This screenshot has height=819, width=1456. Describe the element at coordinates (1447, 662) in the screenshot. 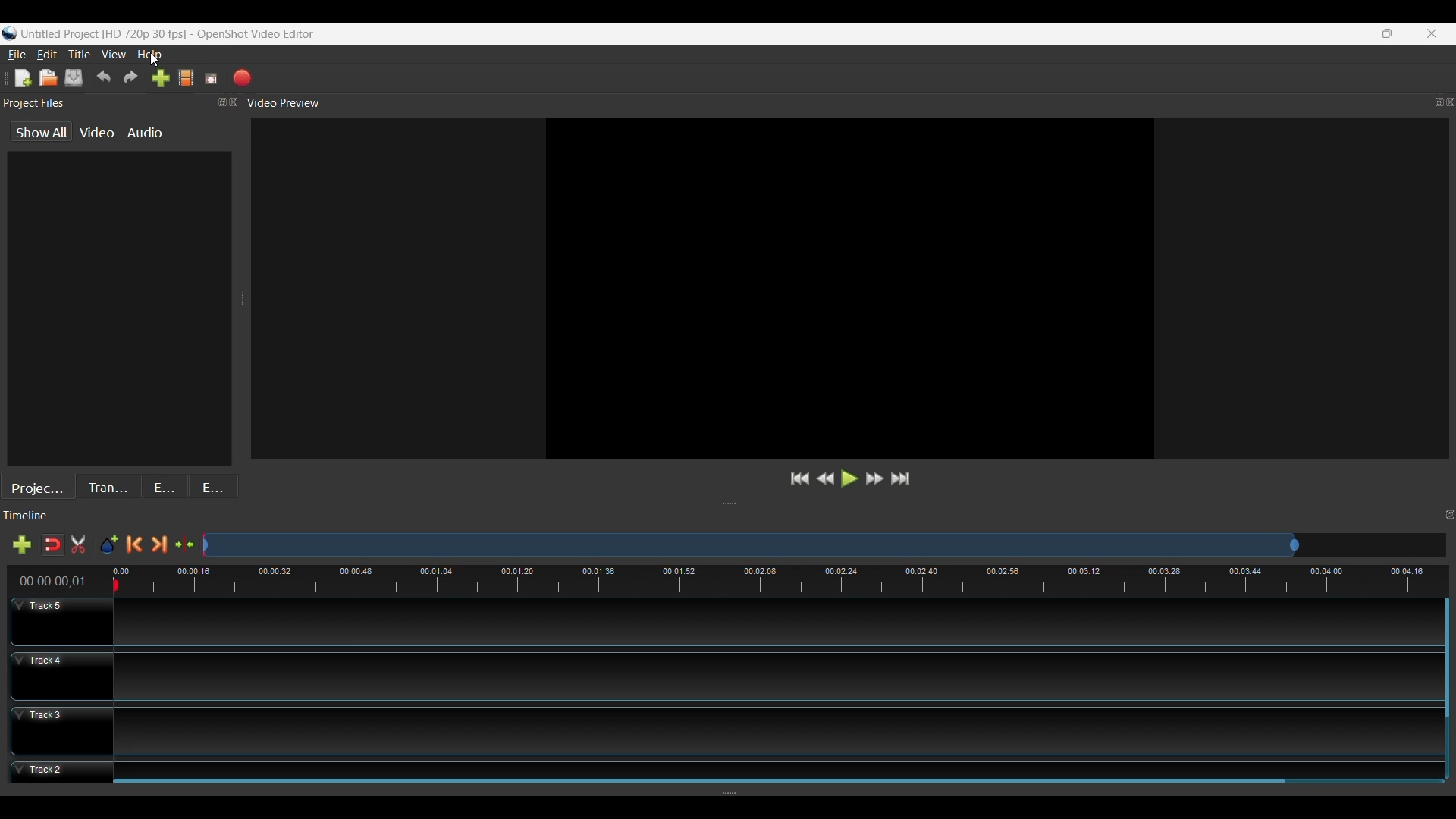

I see `Vertical Scroll bar` at that location.